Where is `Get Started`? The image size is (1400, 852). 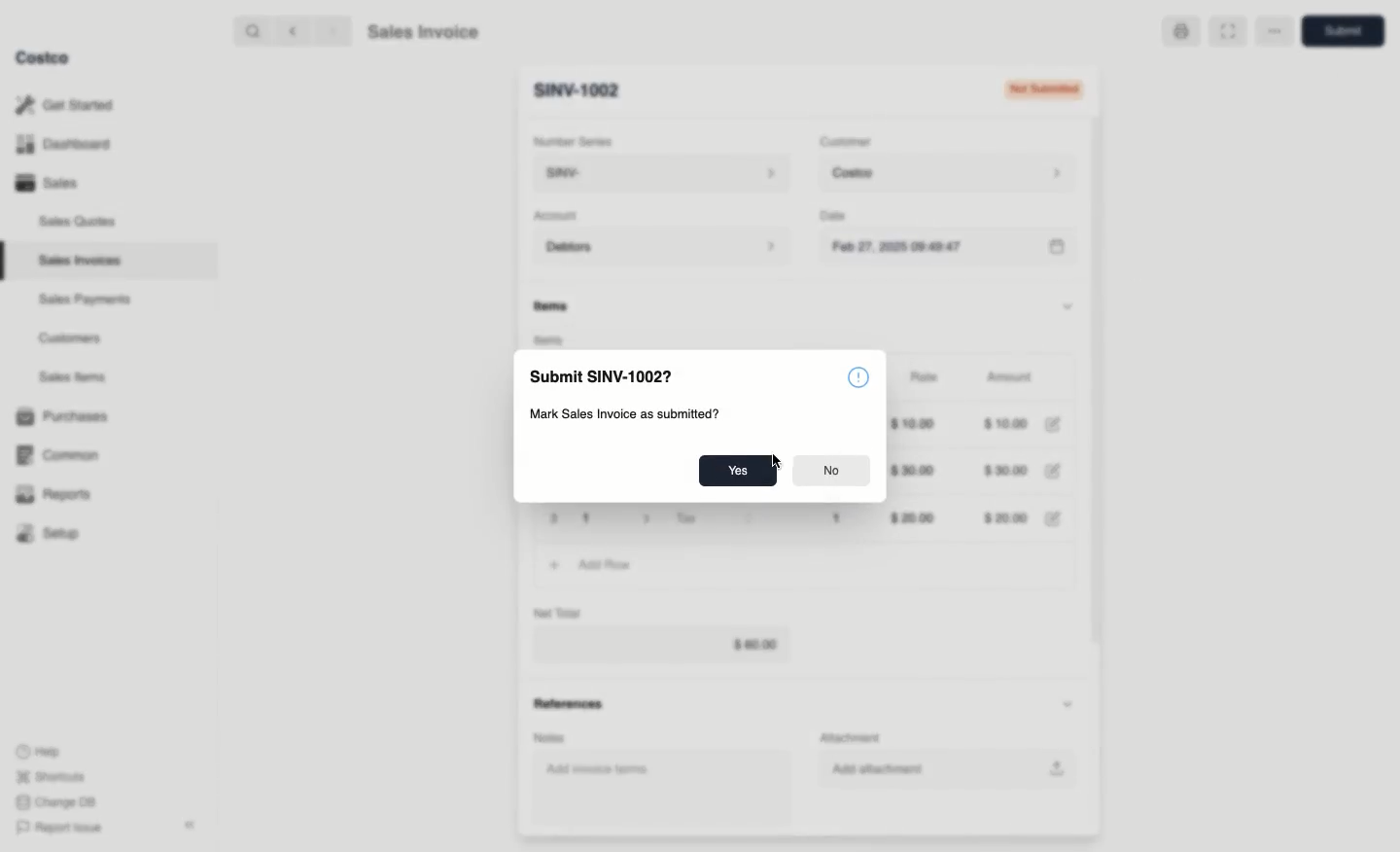 Get Started is located at coordinates (68, 105).